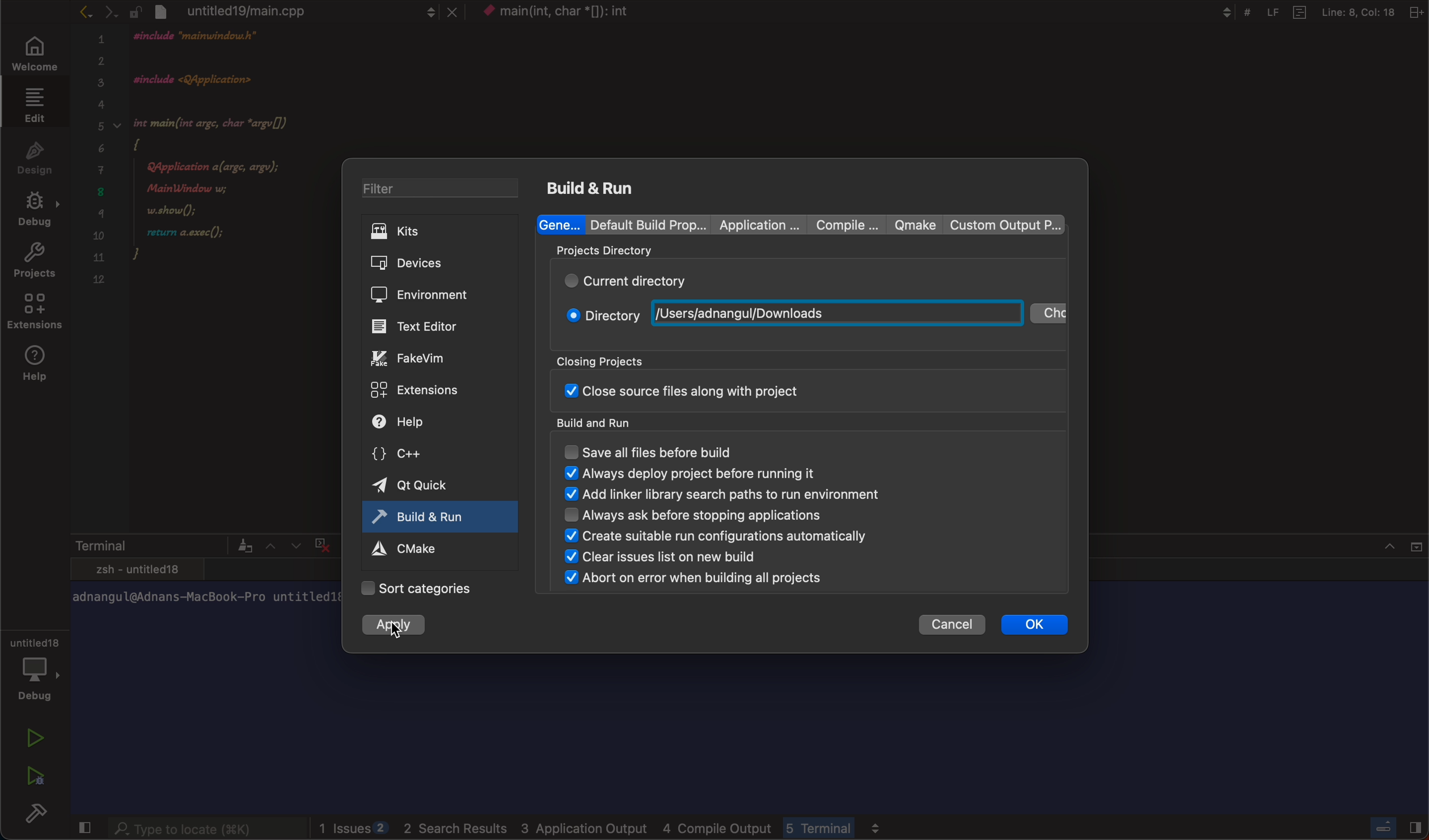 This screenshot has height=840, width=1429. What do you see at coordinates (421, 453) in the screenshot?
I see `c++` at bounding box center [421, 453].